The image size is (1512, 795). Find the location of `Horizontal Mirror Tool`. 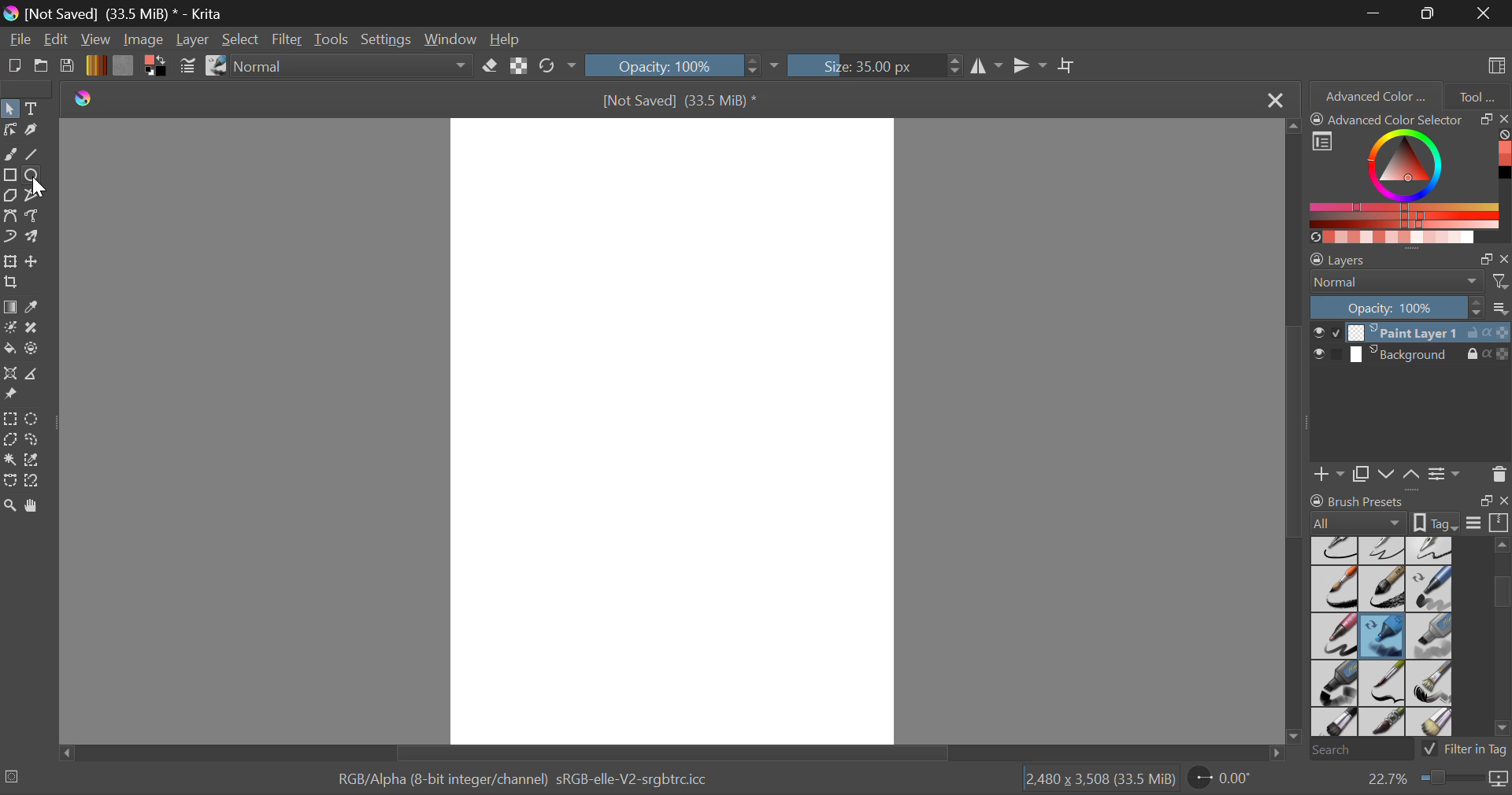

Horizontal Mirror Tool is located at coordinates (986, 65).